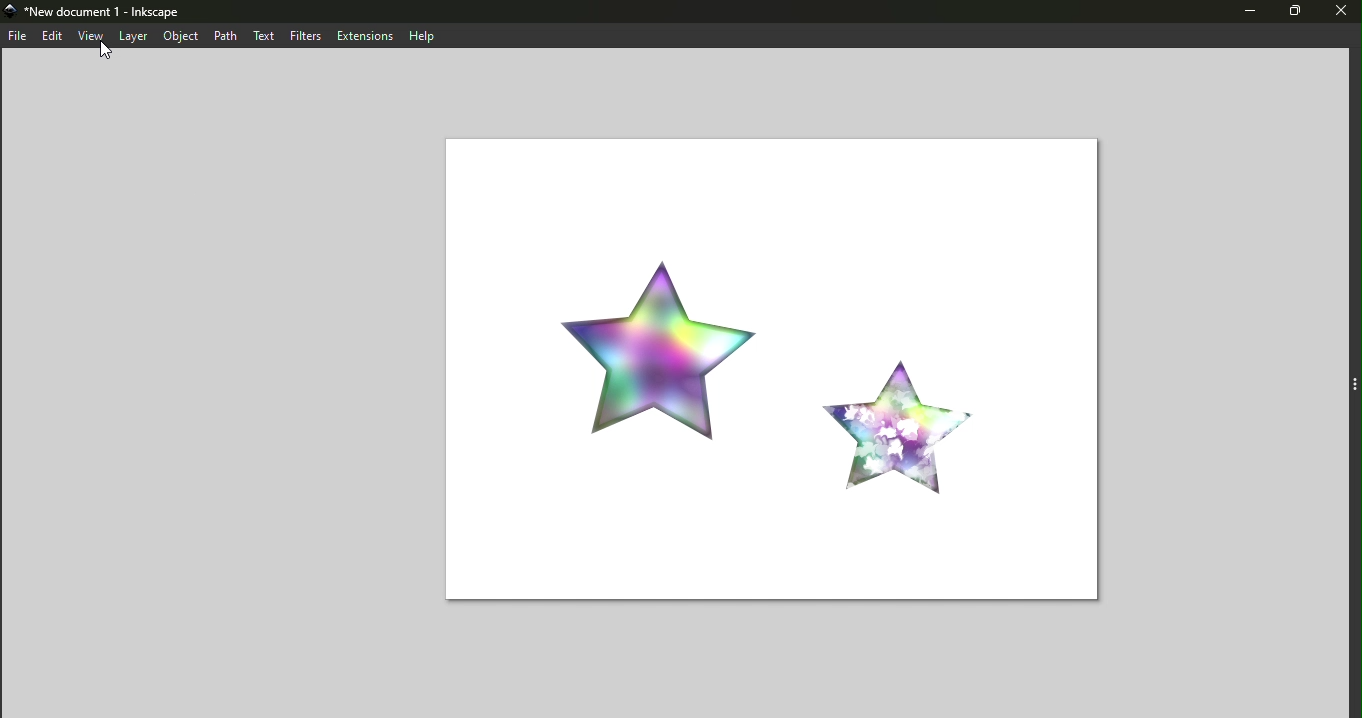 This screenshot has width=1362, height=718. Describe the element at coordinates (94, 34) in the screenshot. I see `View` at that location.